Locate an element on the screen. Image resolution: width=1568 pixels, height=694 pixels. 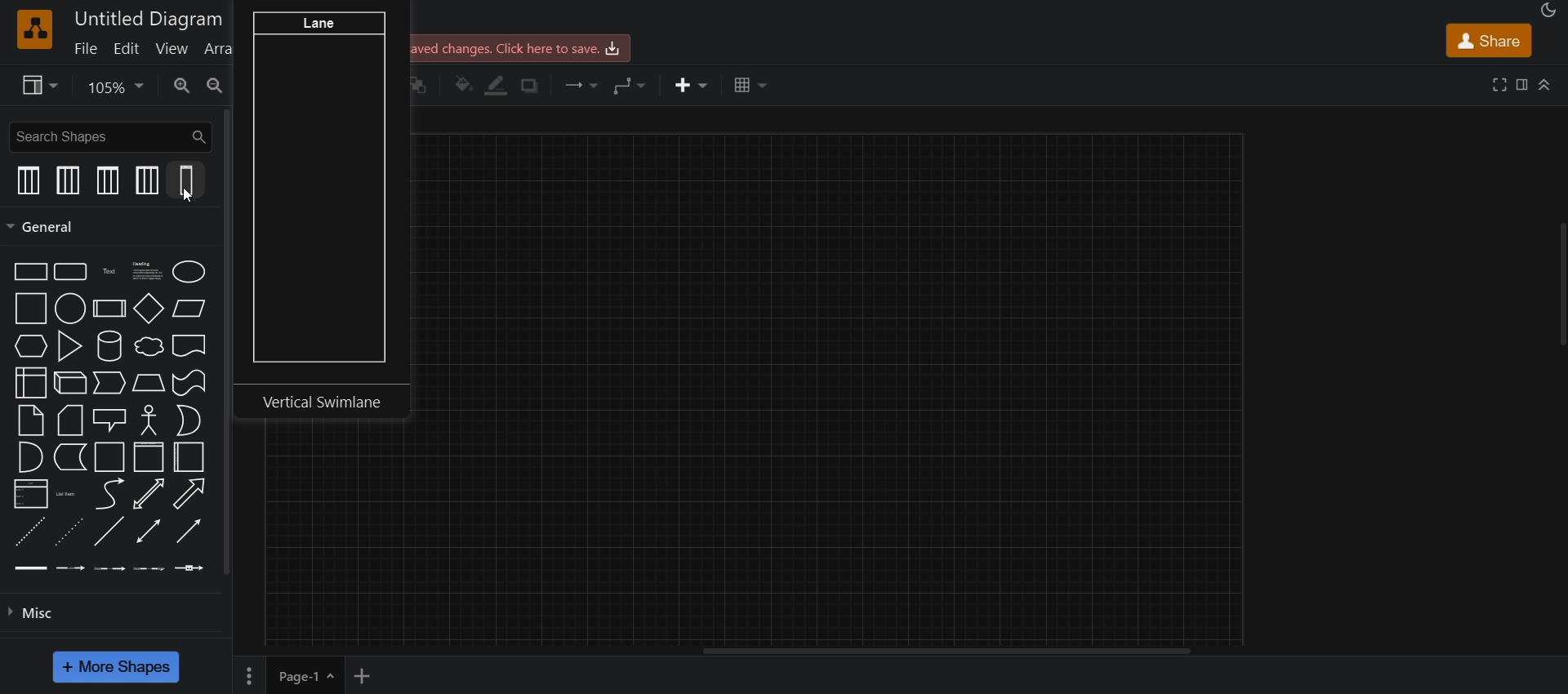
card is located at coordinates (69, 421).